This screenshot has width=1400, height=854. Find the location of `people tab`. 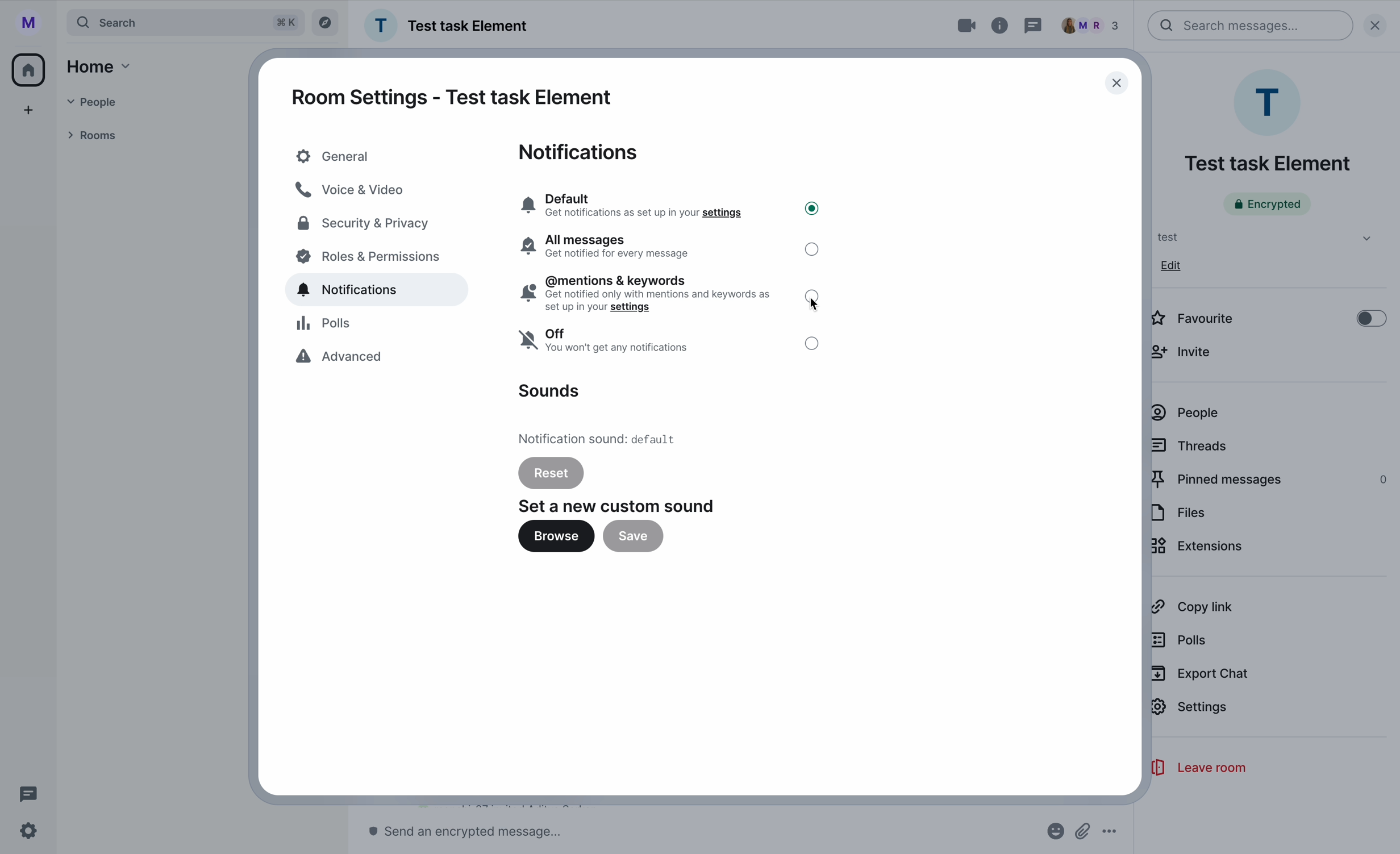

people tab is located at coordinates (107, 102).